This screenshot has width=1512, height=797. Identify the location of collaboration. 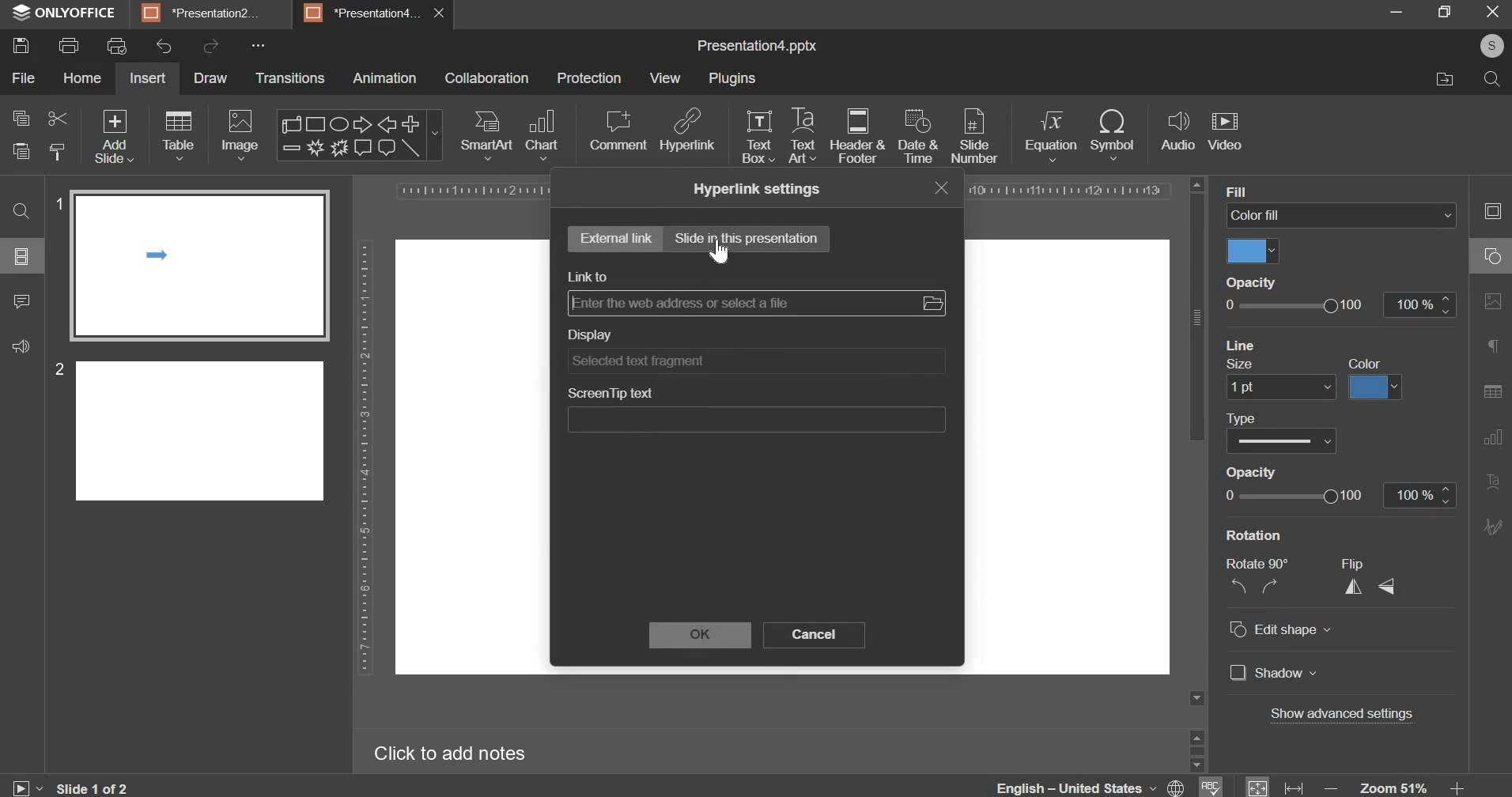
(489, 78).